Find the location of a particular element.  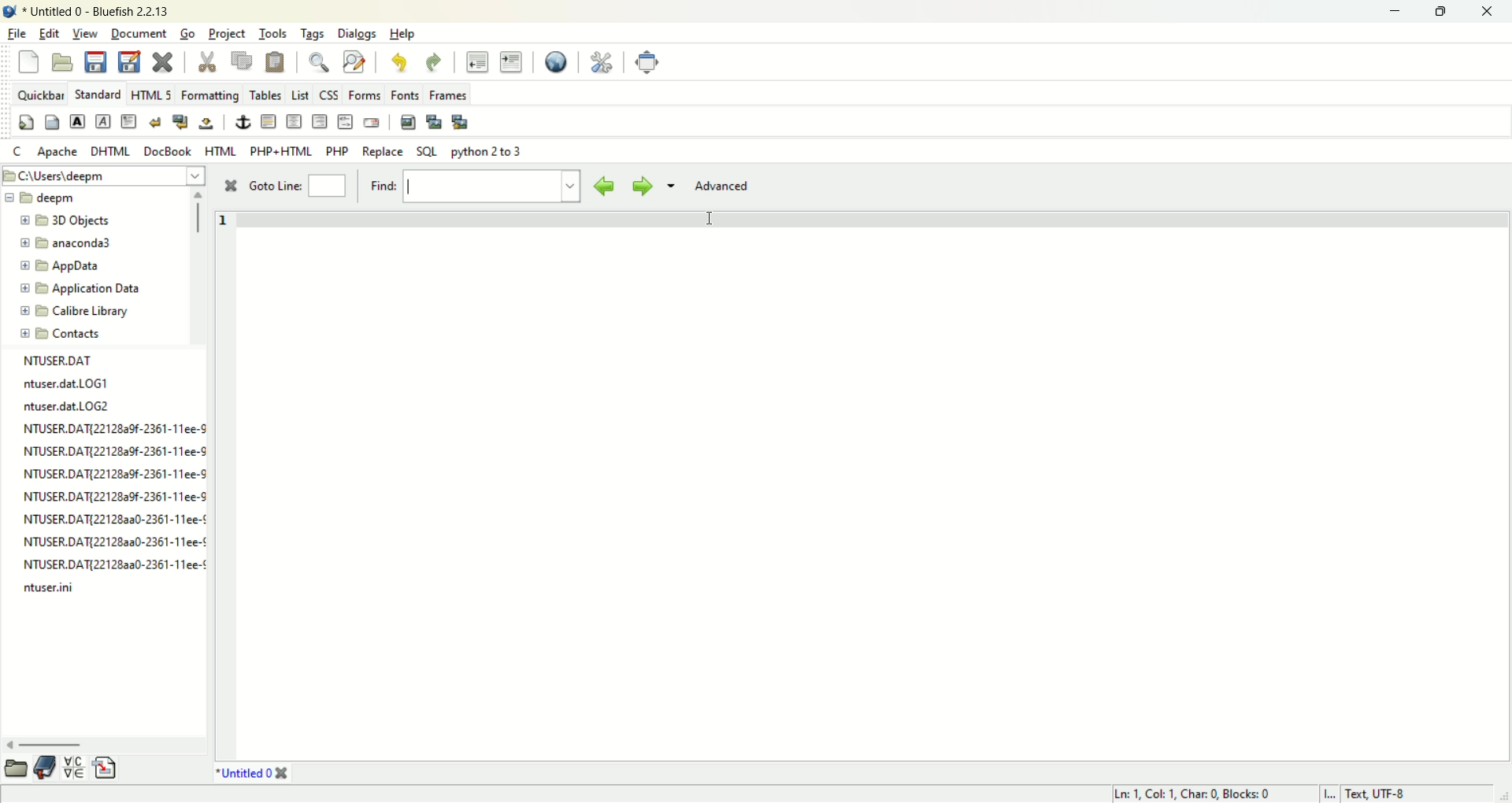

insert image is located at coordinates (407, 122).